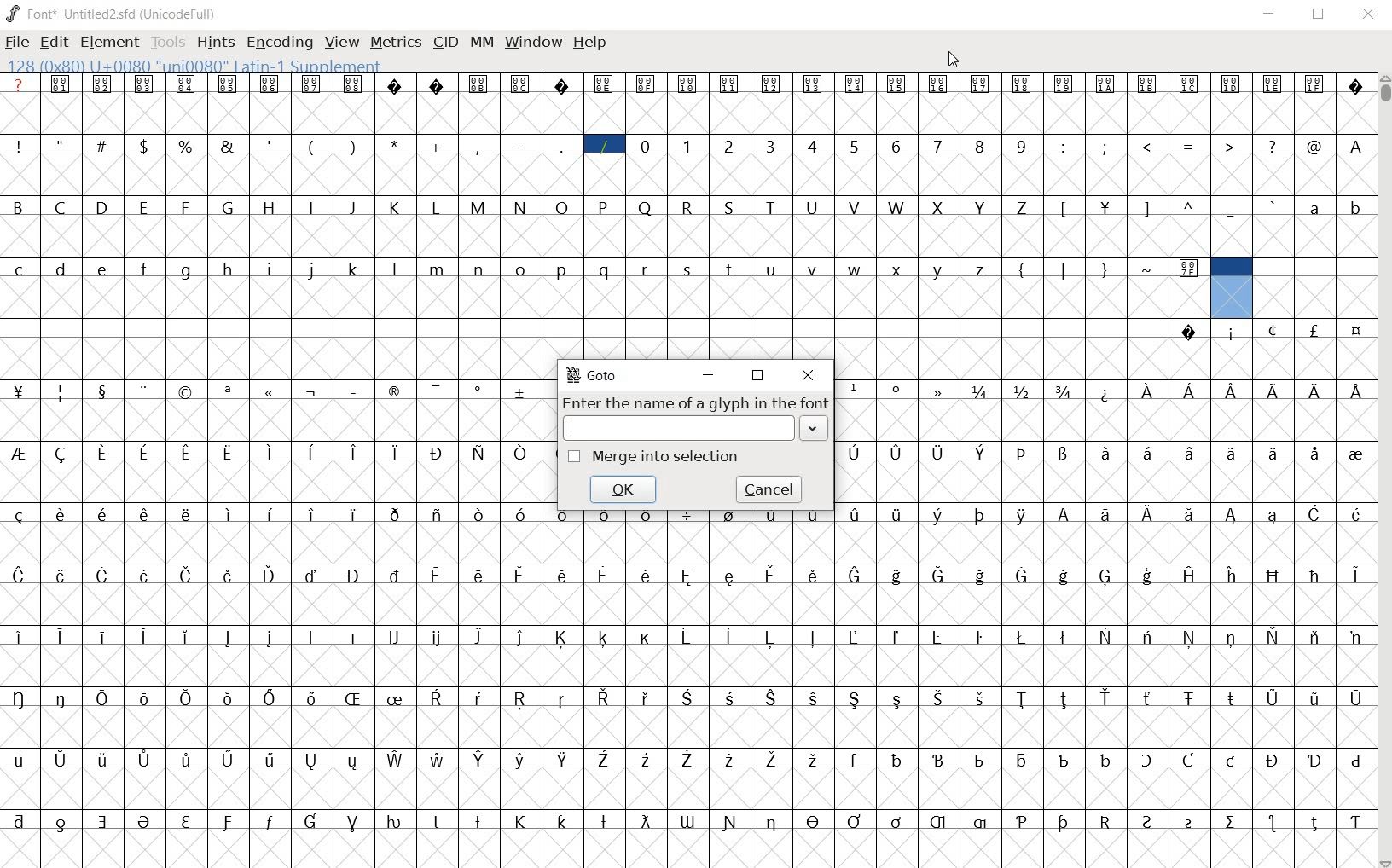 Image resolution: width=1392 pixels, height=868 pixels. I want to click on >, so click(1232, 145).